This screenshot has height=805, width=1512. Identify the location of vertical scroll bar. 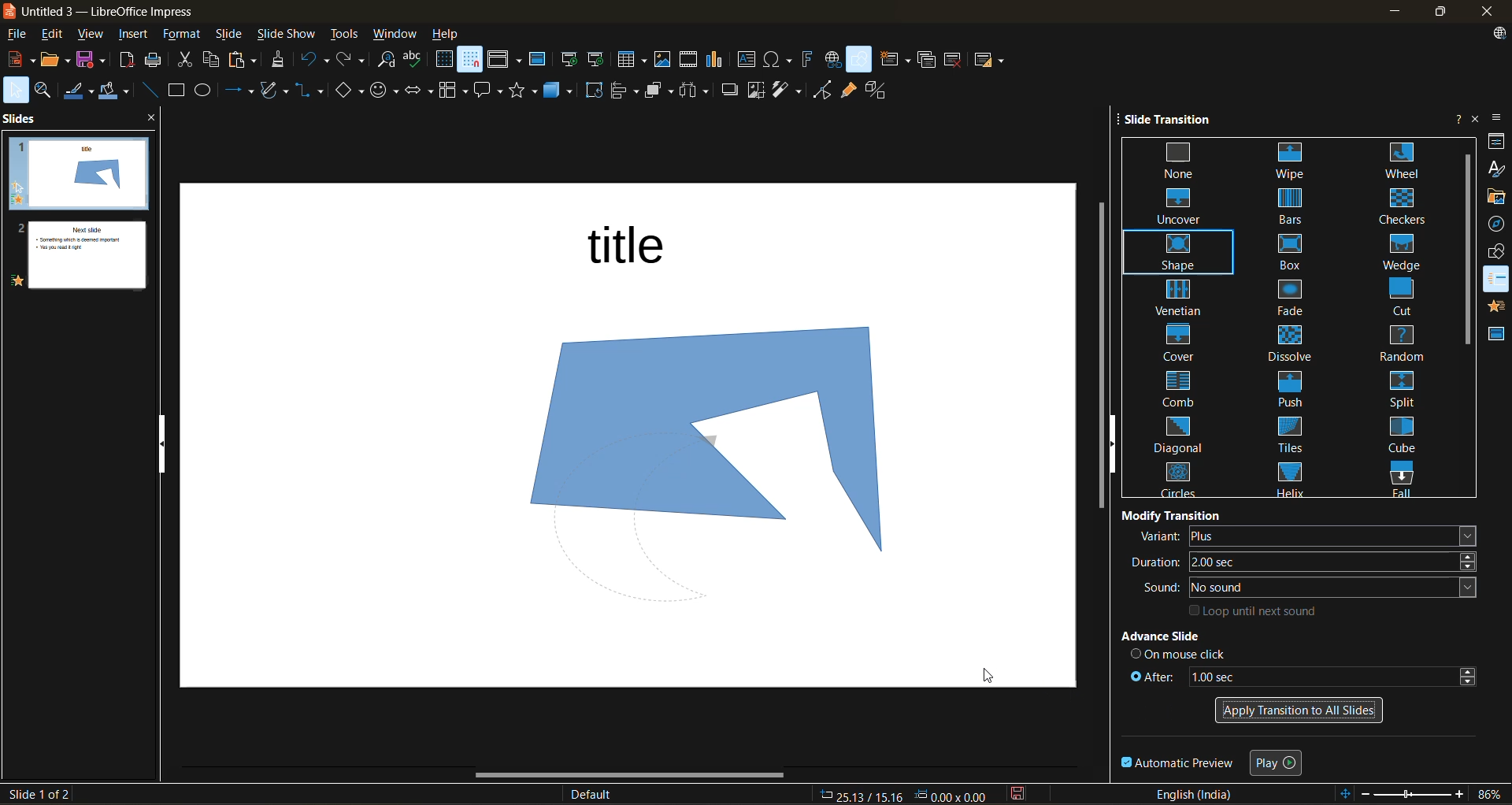
(1099, 360).